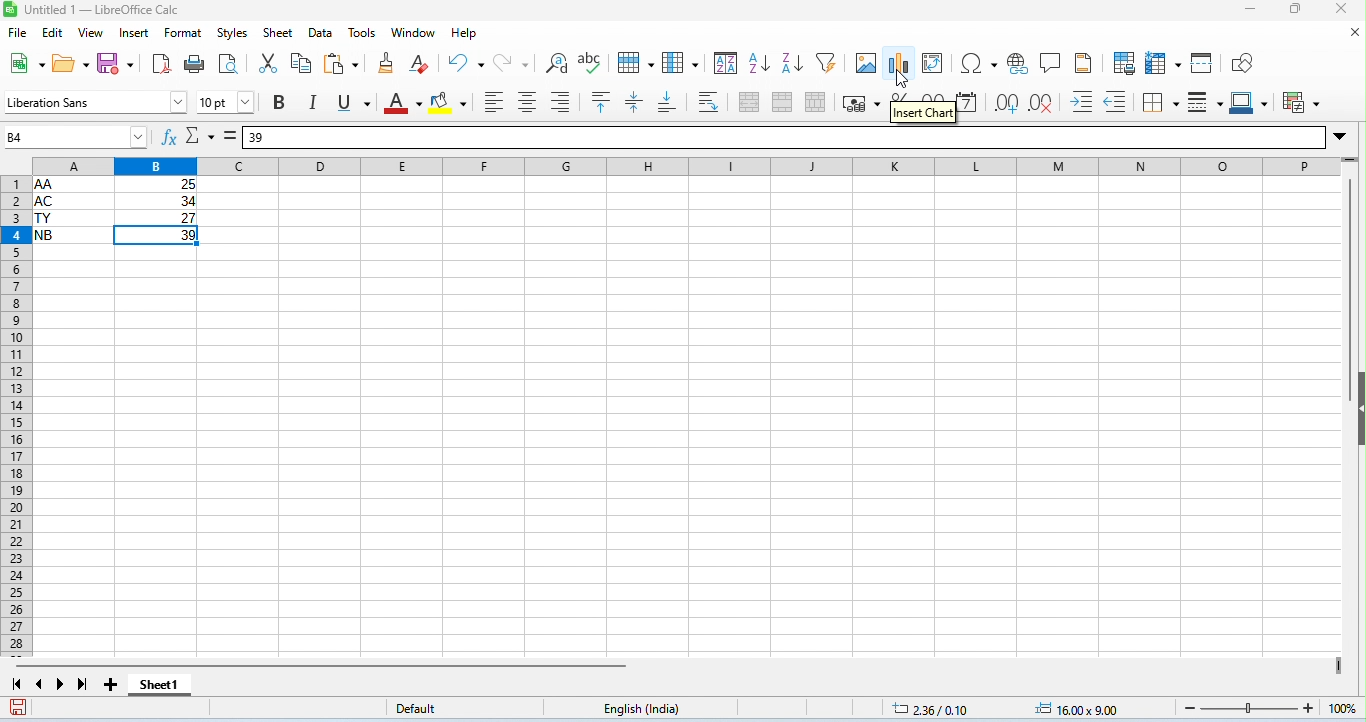 This screenshot has width=1366, height=722. I want to click on print, so click(196, 65).